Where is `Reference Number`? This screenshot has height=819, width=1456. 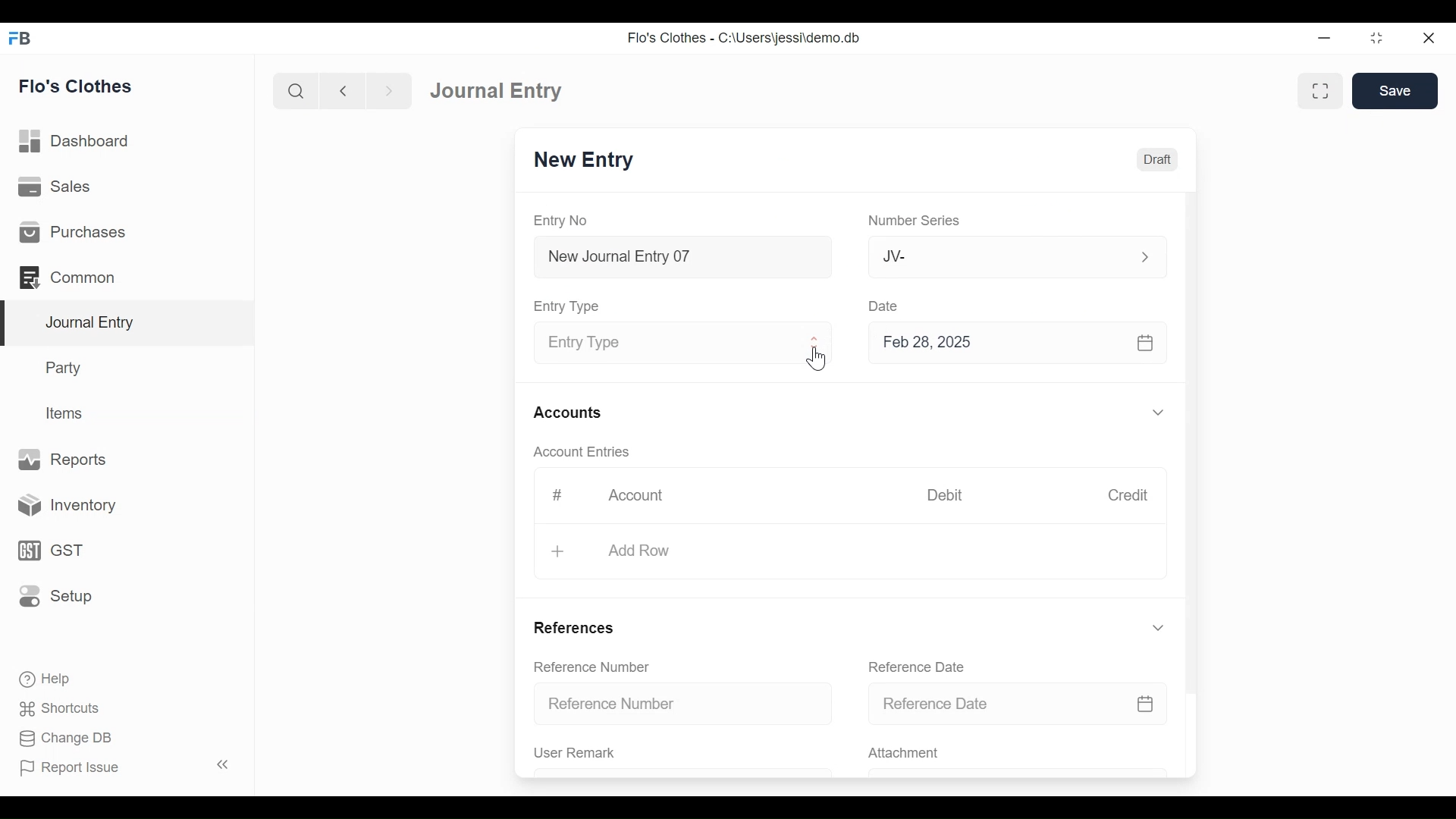
Reference Number is located at coordinates (667, 704).